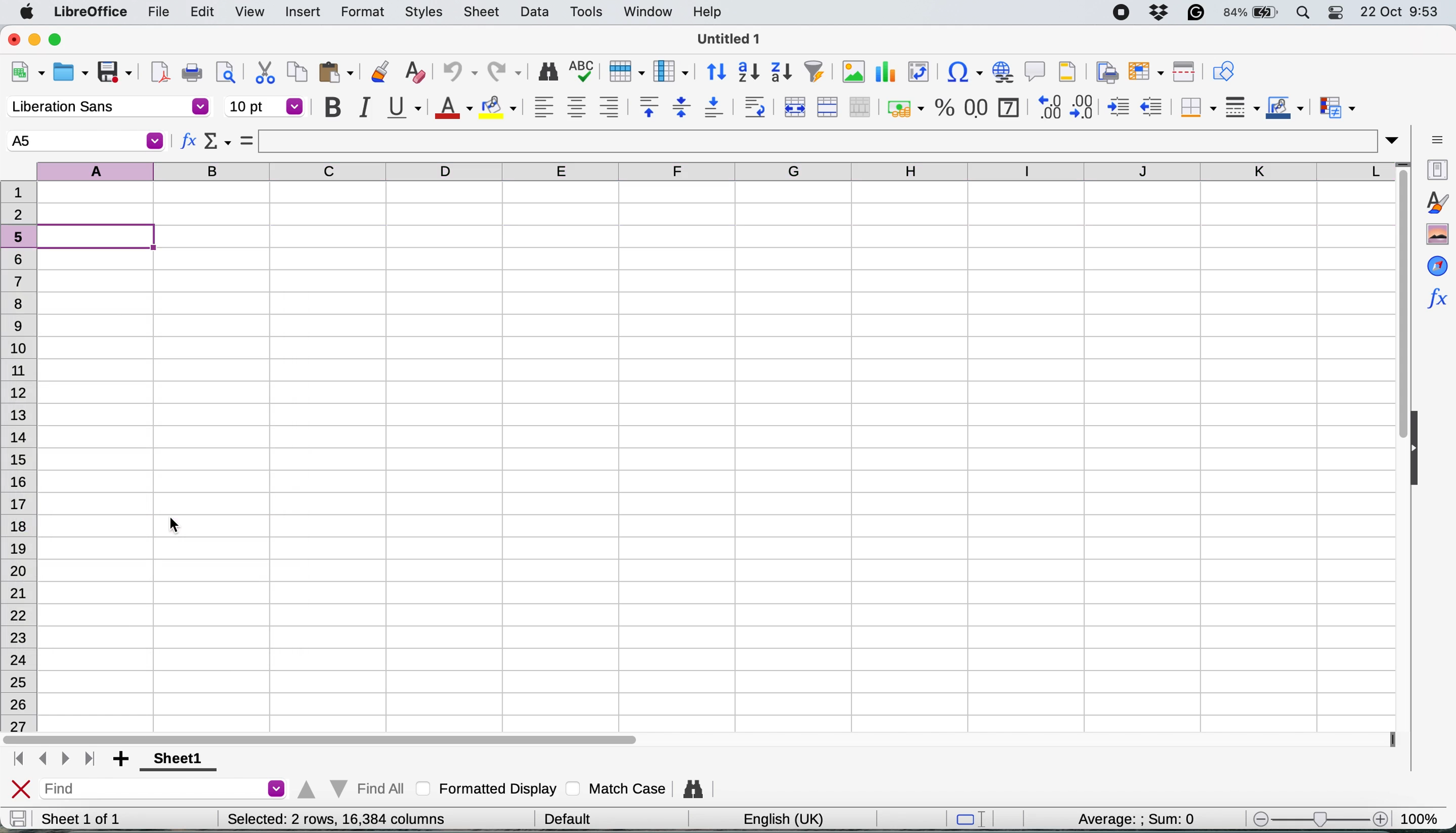 The height and width of the screenshot is (833, 1456). What do you see at coordinates (161, 72) in the screenshot?
I see `export directly as pdf` at bounding box center [161, 72].